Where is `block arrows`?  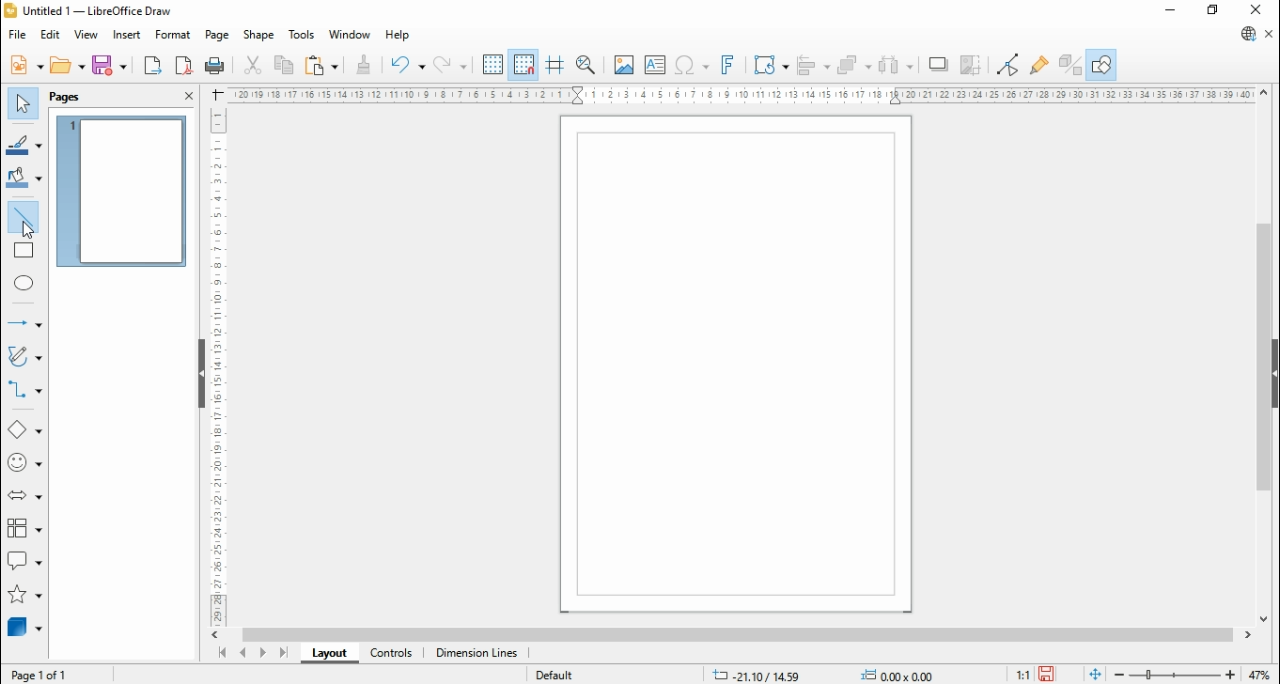 block arrows is located at coordinates (24, 496).